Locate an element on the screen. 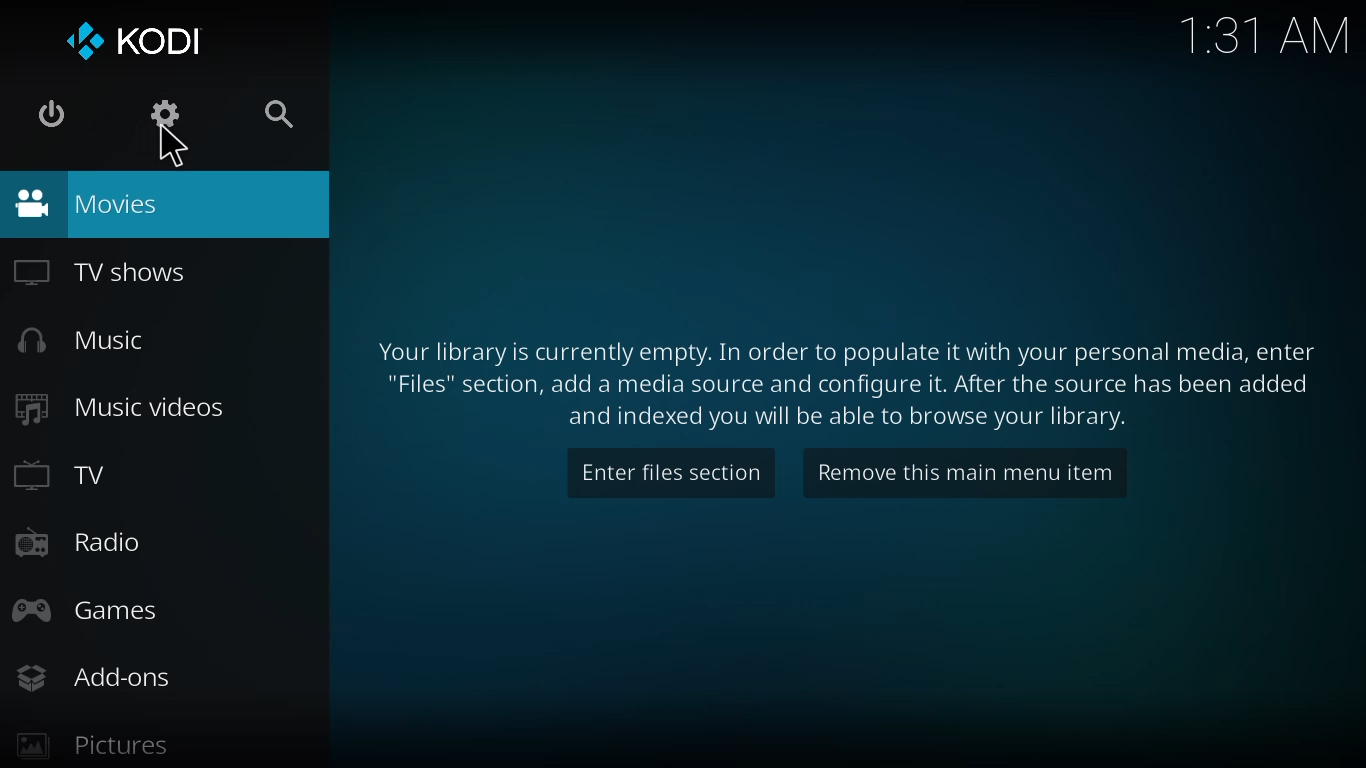 The height and width of the screenshot is (768, 1366). movies is located at coordinates (87, 203).